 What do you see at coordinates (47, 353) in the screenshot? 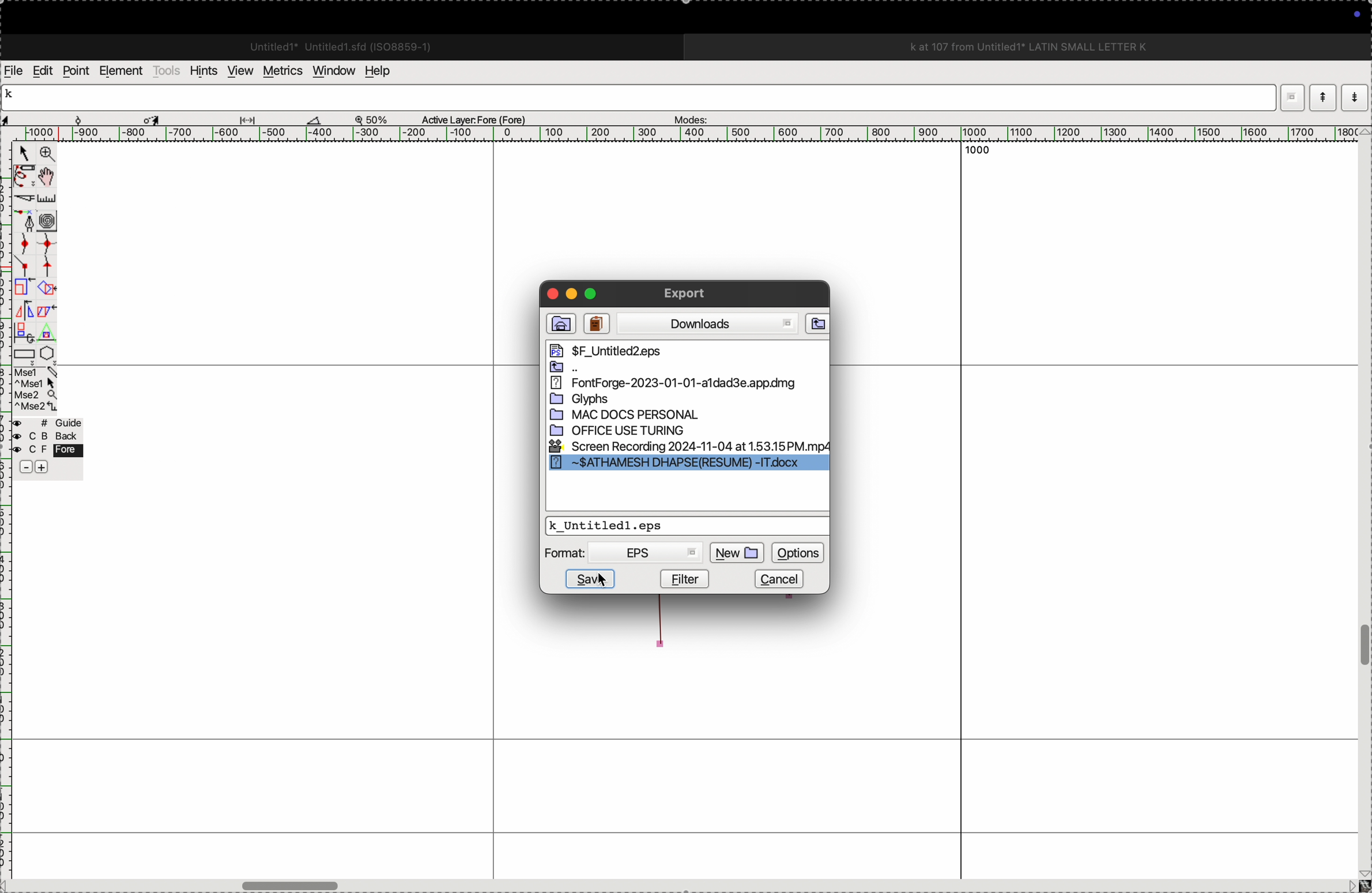
I see `polygon` at bounding box center [47, 353].